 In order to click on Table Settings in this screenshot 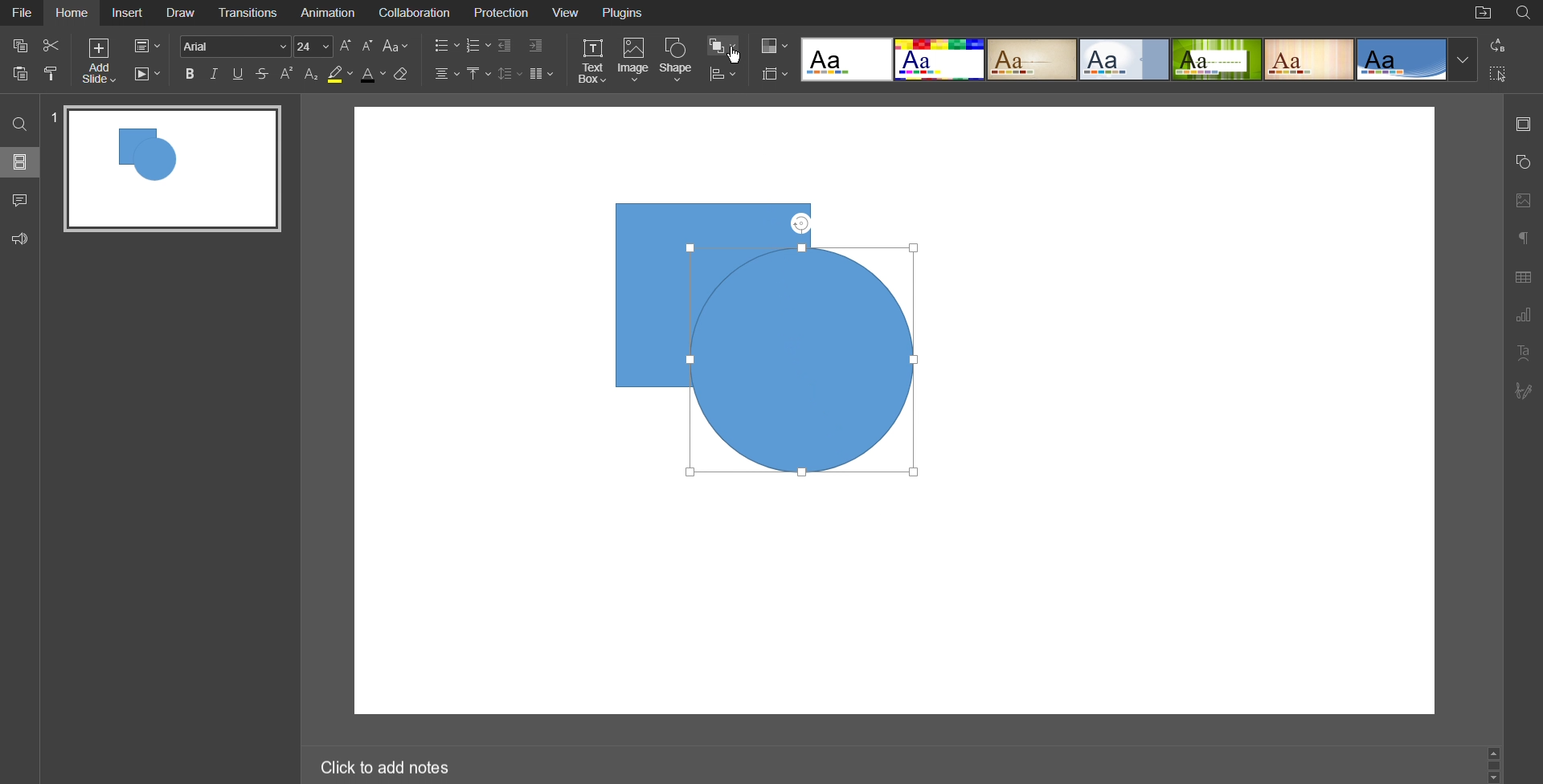, I will do `click(1522, 278)`.